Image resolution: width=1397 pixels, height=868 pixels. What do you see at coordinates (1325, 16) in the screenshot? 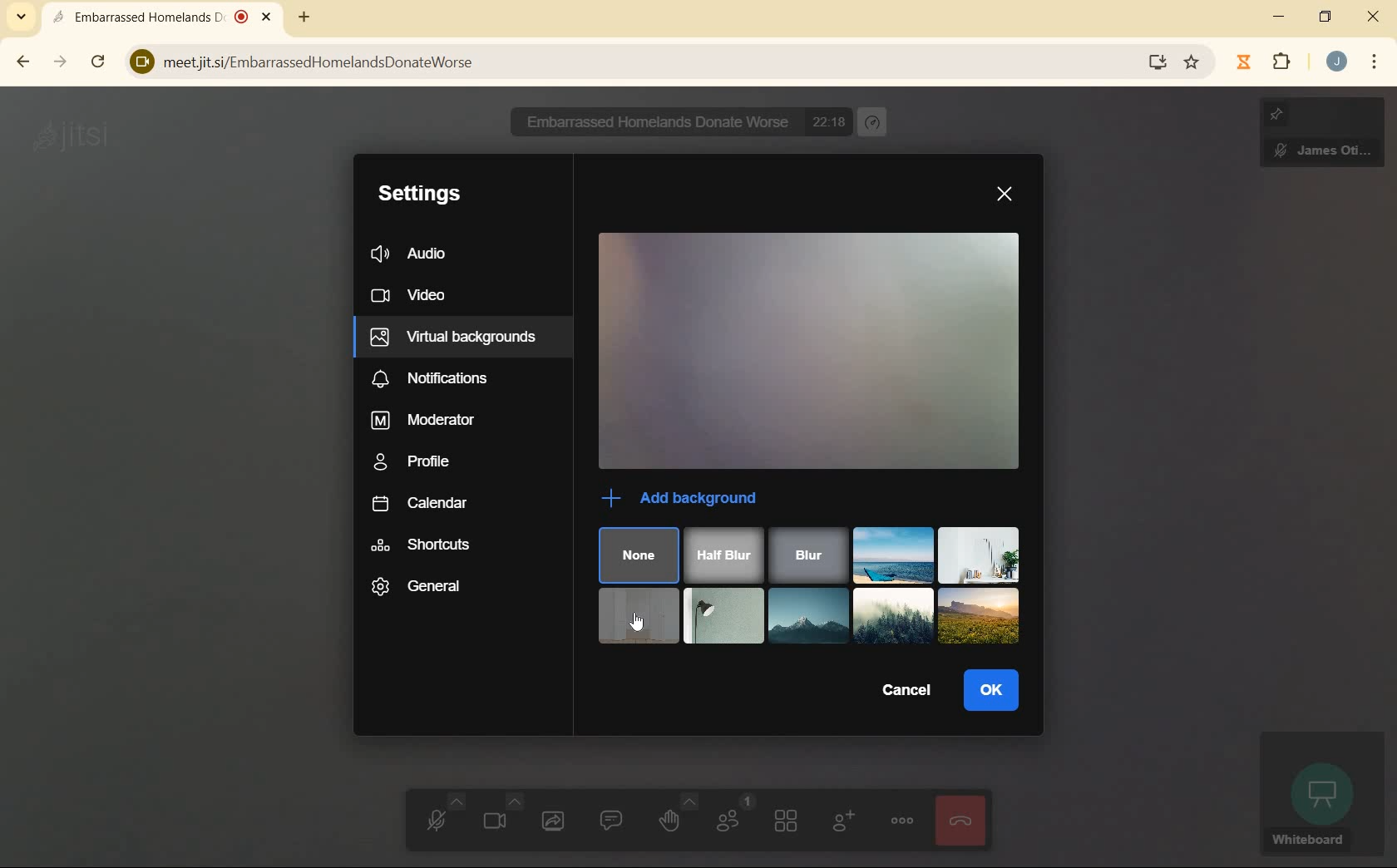
I see `restore down` at bounding box center [1325, 16].